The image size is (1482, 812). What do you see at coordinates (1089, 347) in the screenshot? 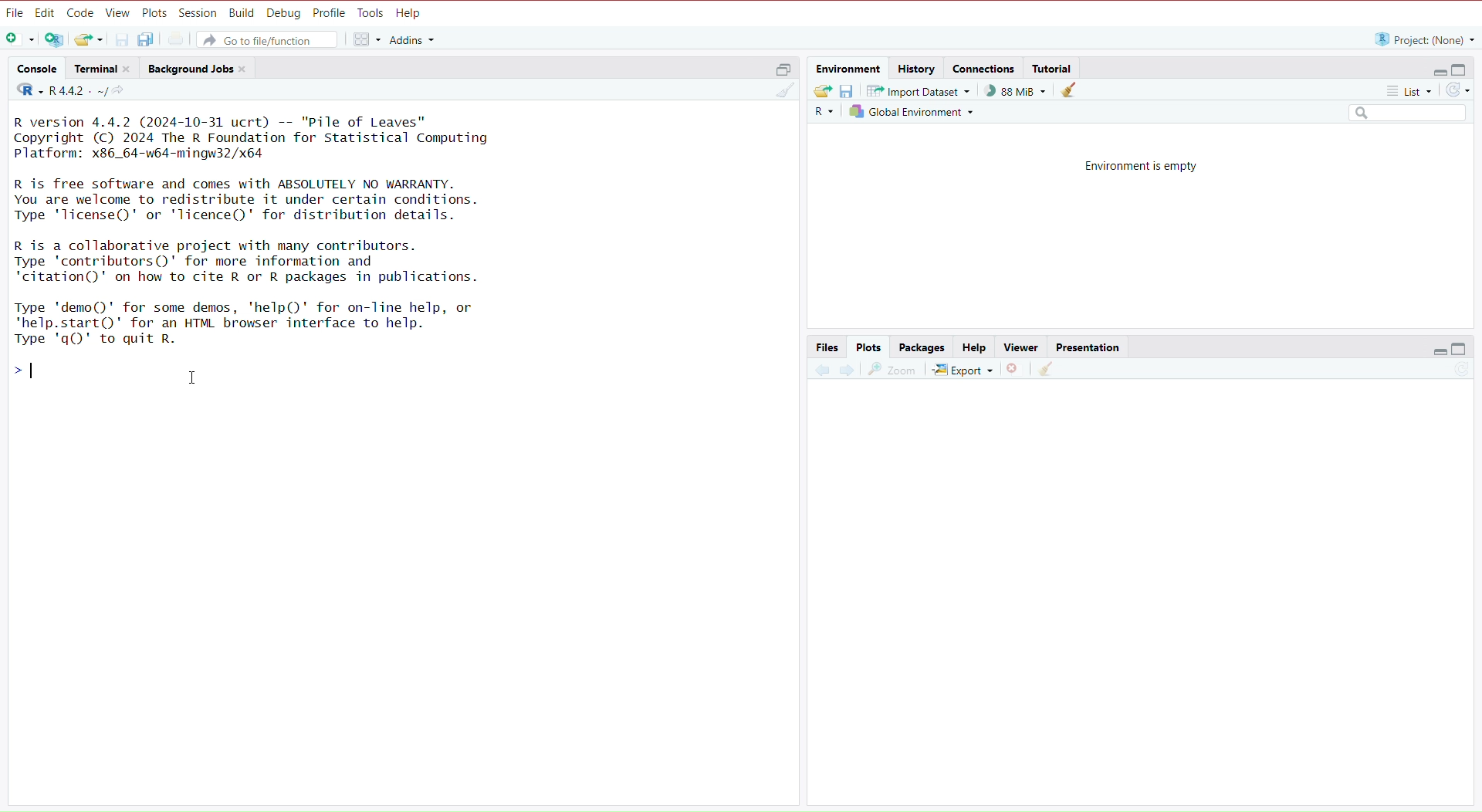
I see `Presentation` at bounding box center [1089, 347].